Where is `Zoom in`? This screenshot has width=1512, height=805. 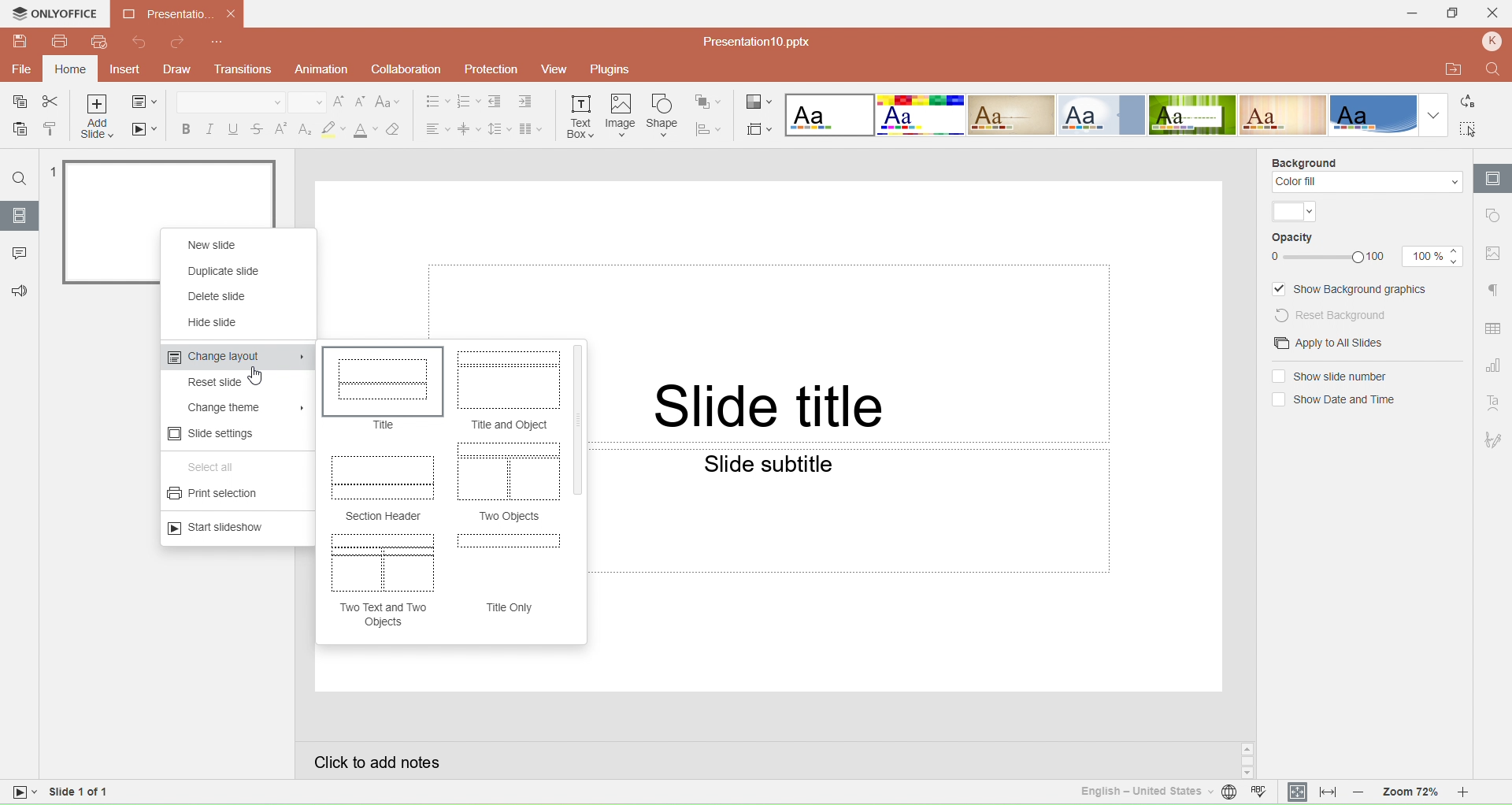 Zoom in is located at coordinates (1474, 793).